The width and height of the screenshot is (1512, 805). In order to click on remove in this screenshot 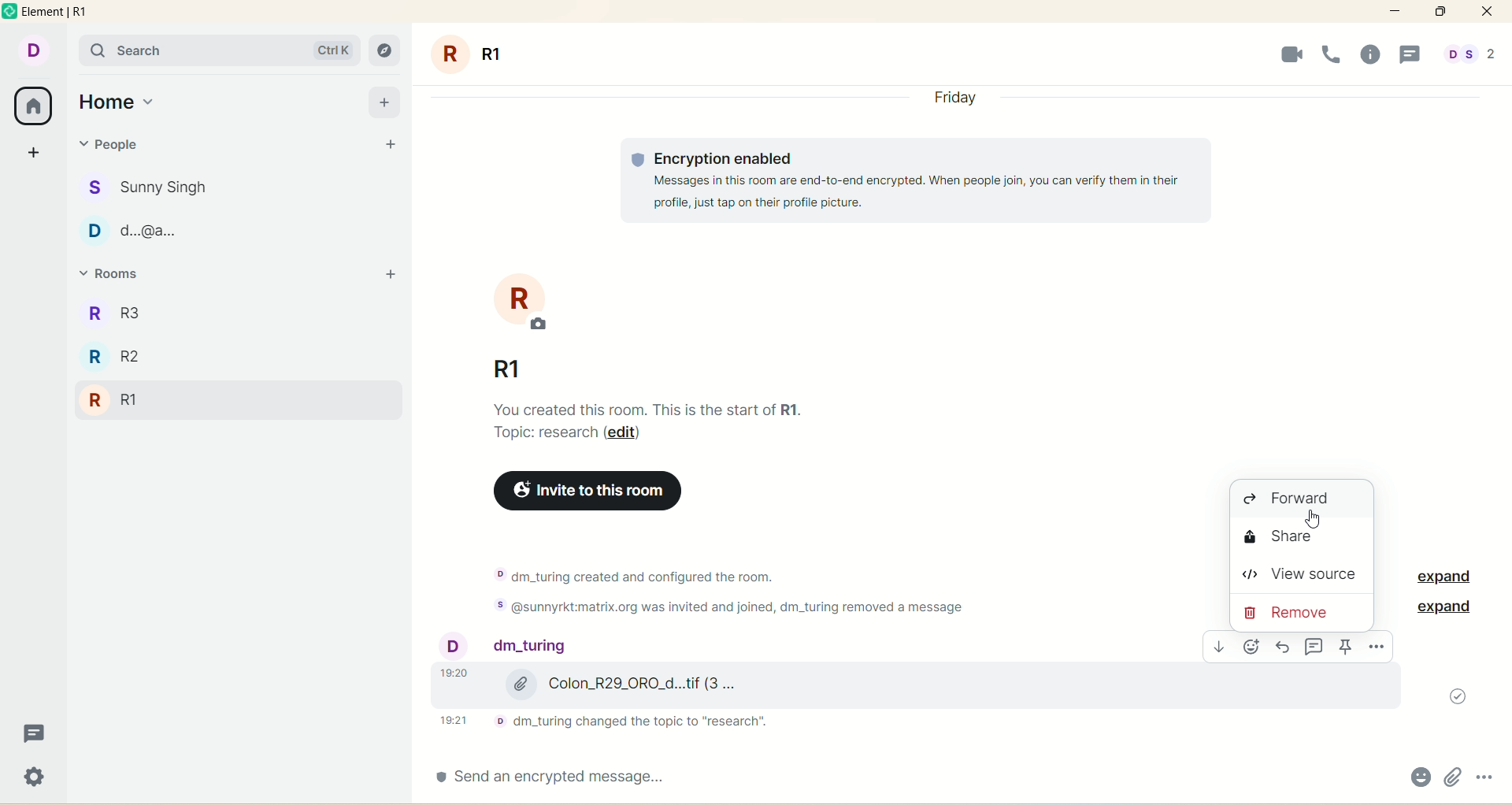, I will do `click(1283, 612)`.